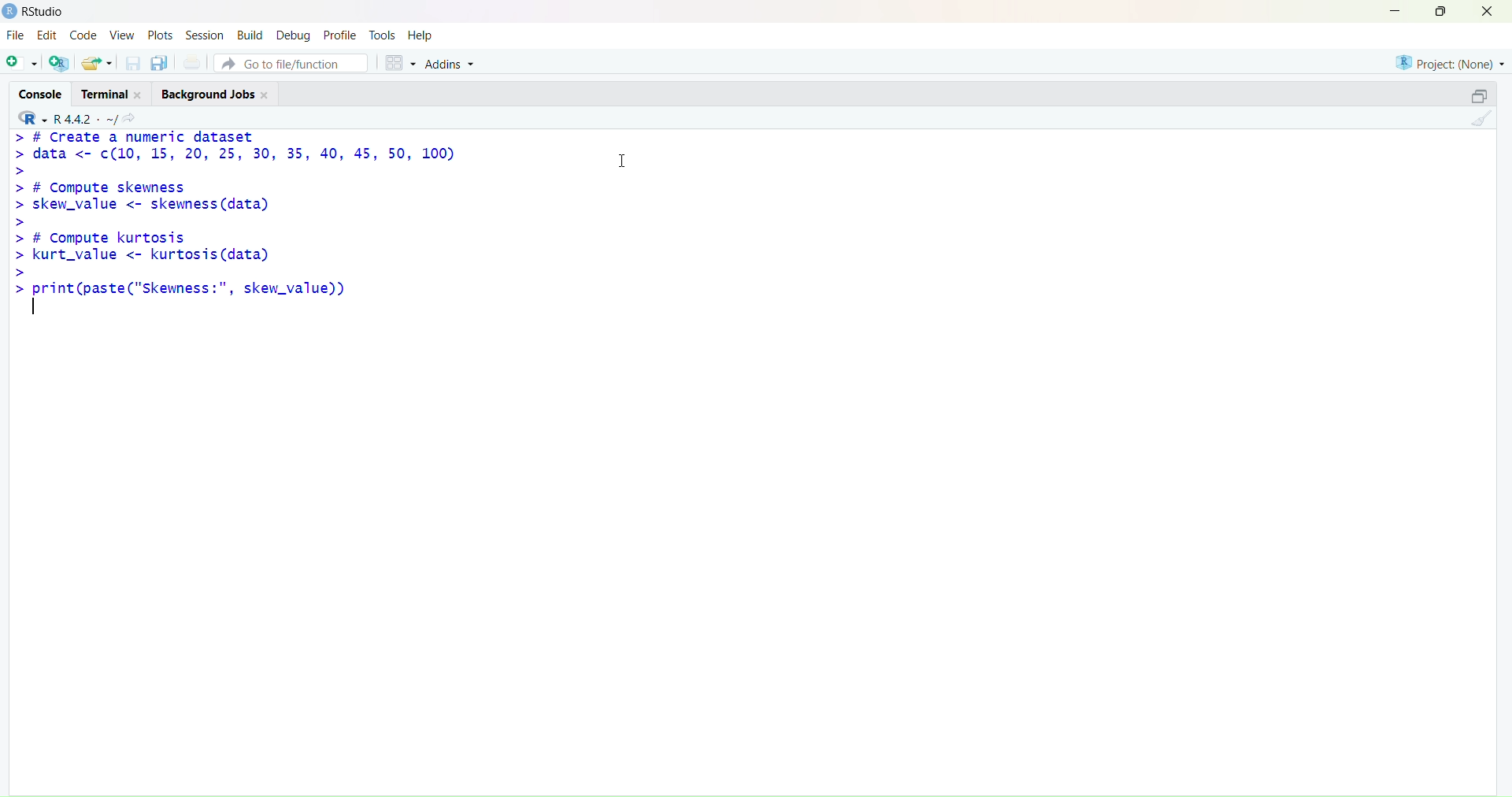 The width and height of the screenshot is (1512, 797). I want to click on Background Jobs, so click(218, 94).